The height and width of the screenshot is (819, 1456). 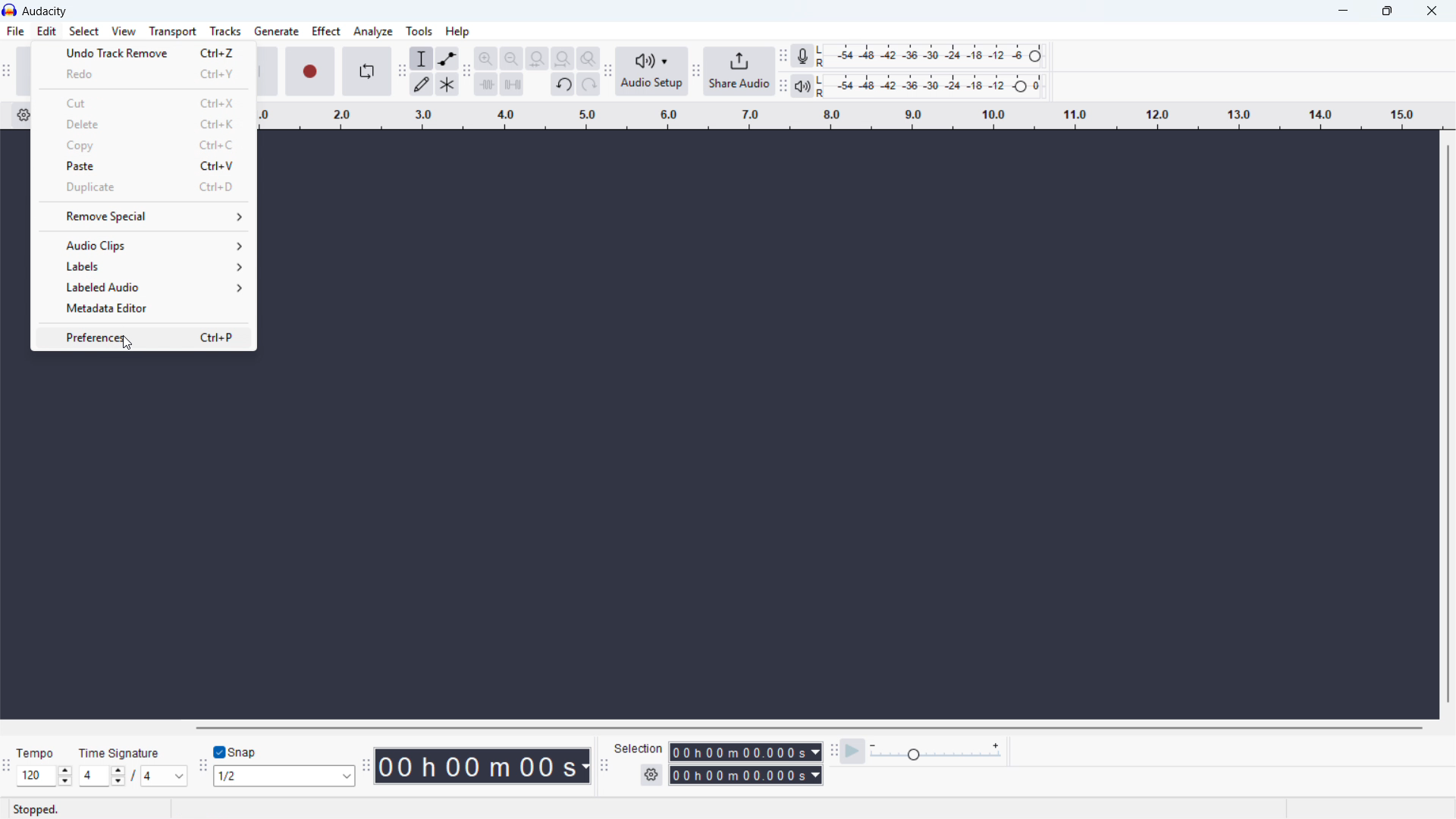 I want to click on start time, so click(x=719, y=752).